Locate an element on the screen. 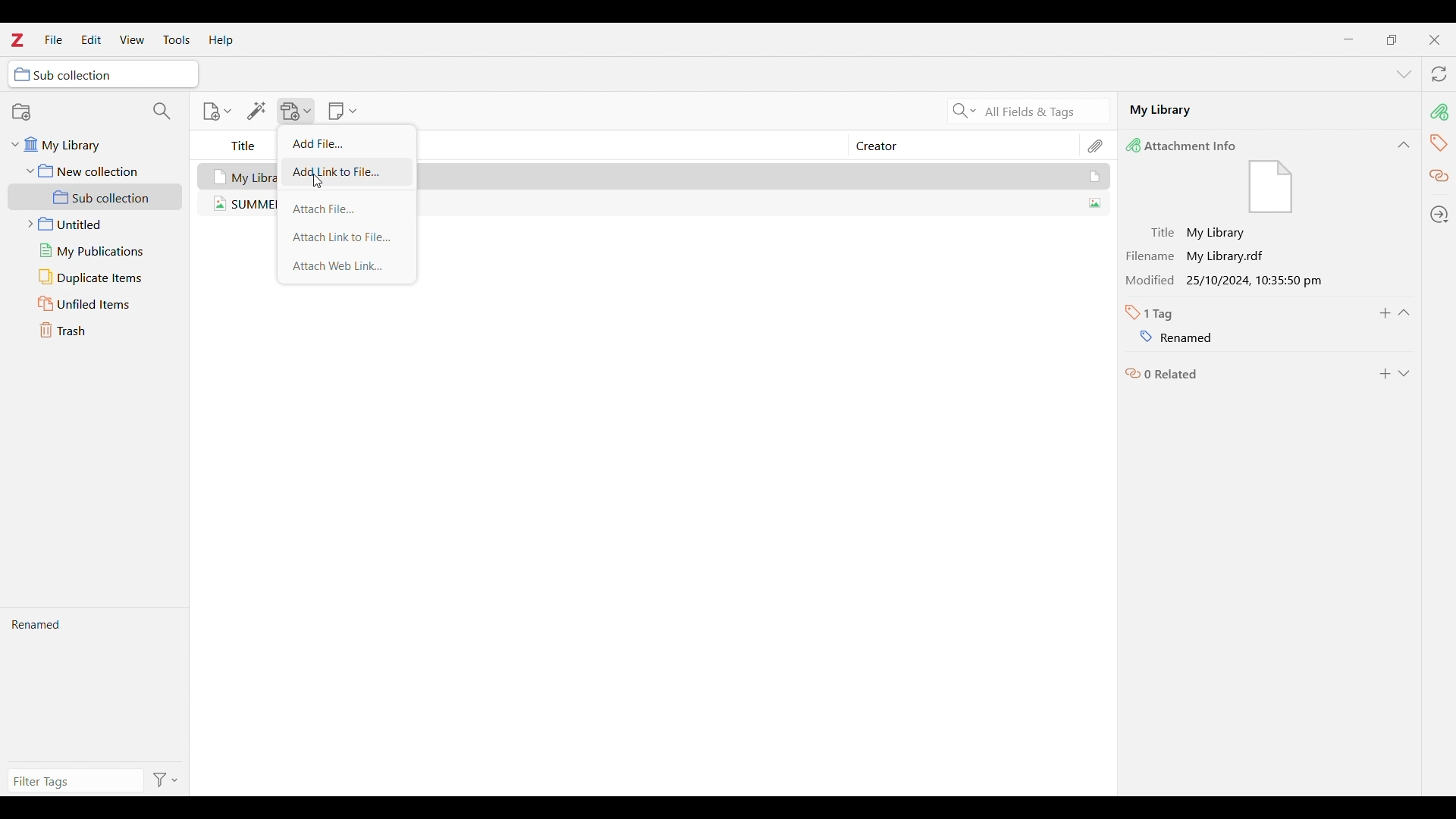  Attach link to file is located at coordinates (347, 237).